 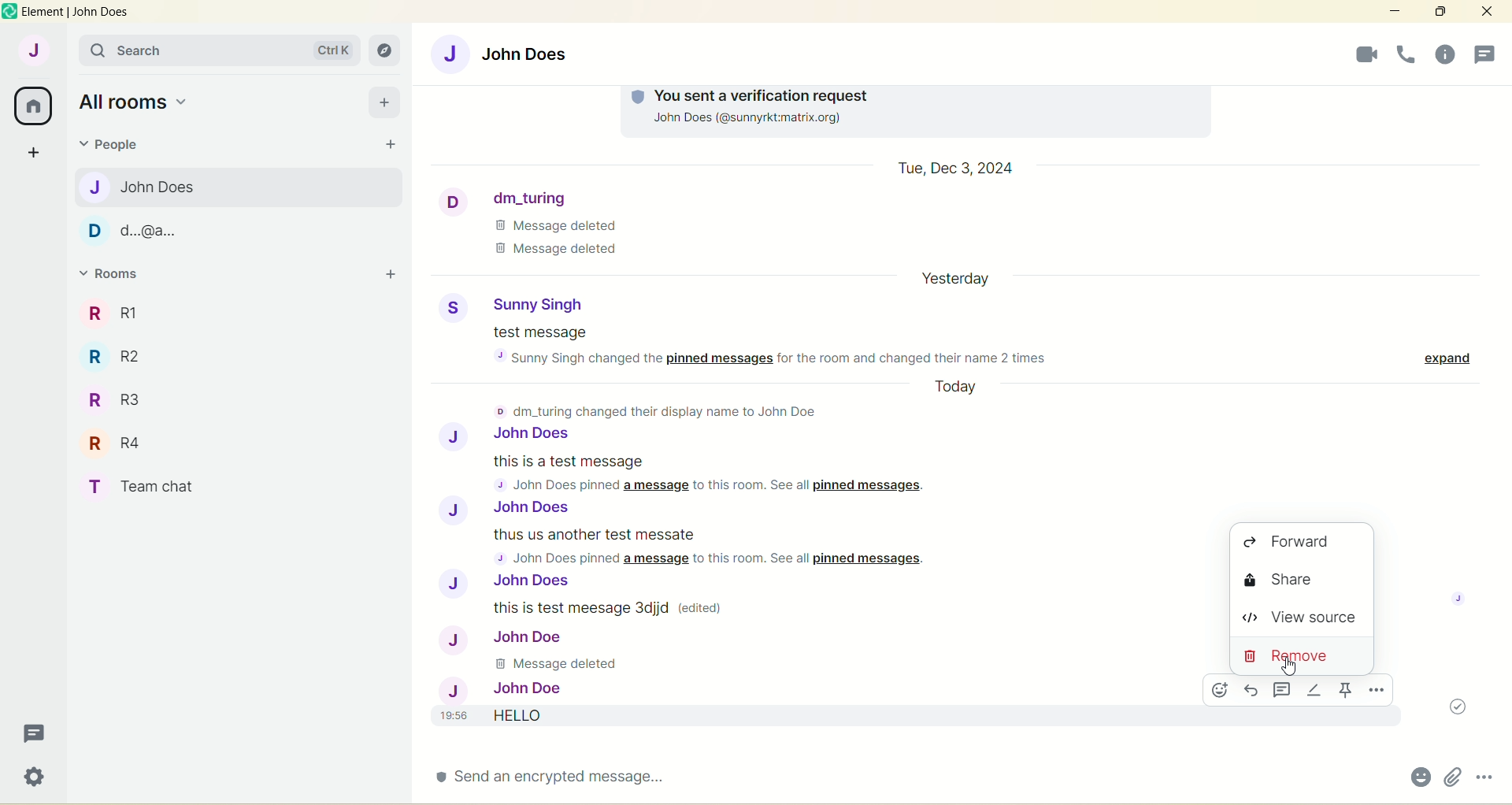 I want to click on emoji, so click(x=1217, y=690).